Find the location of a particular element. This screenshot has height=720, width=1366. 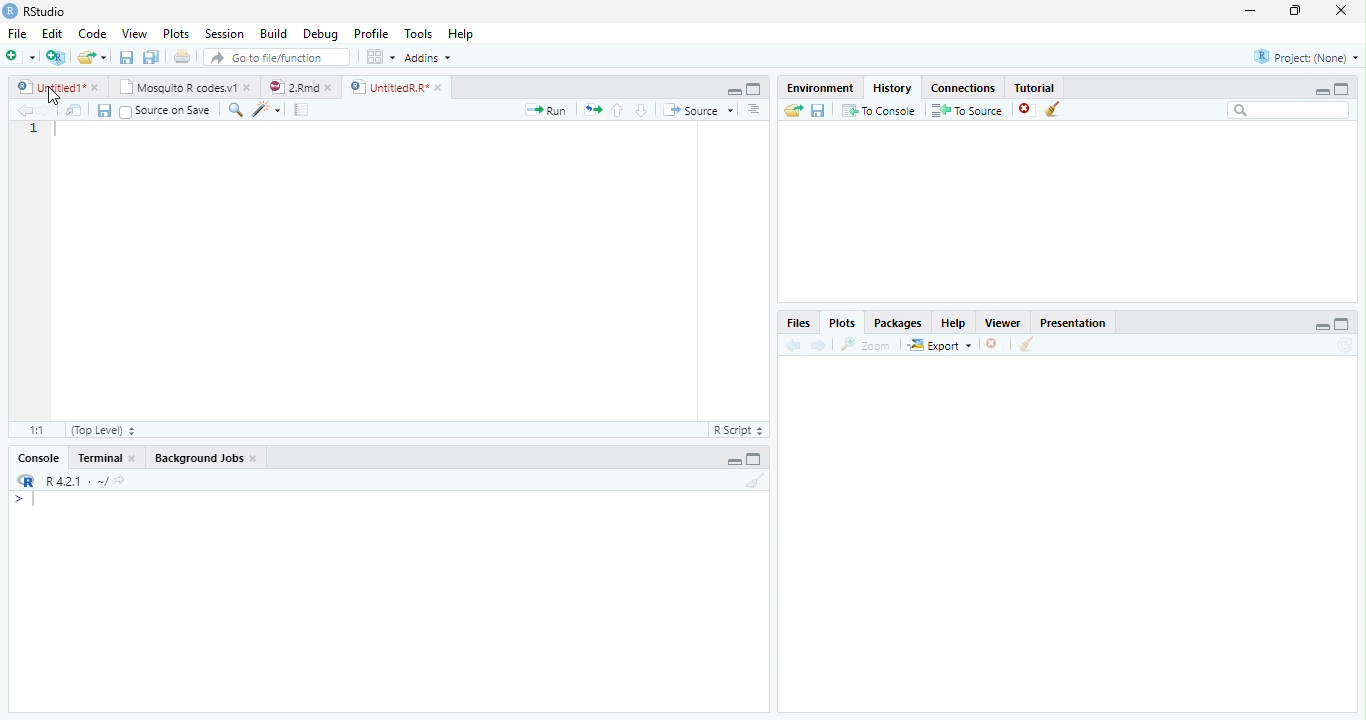

Minimize is located at coordinates (734, 462).